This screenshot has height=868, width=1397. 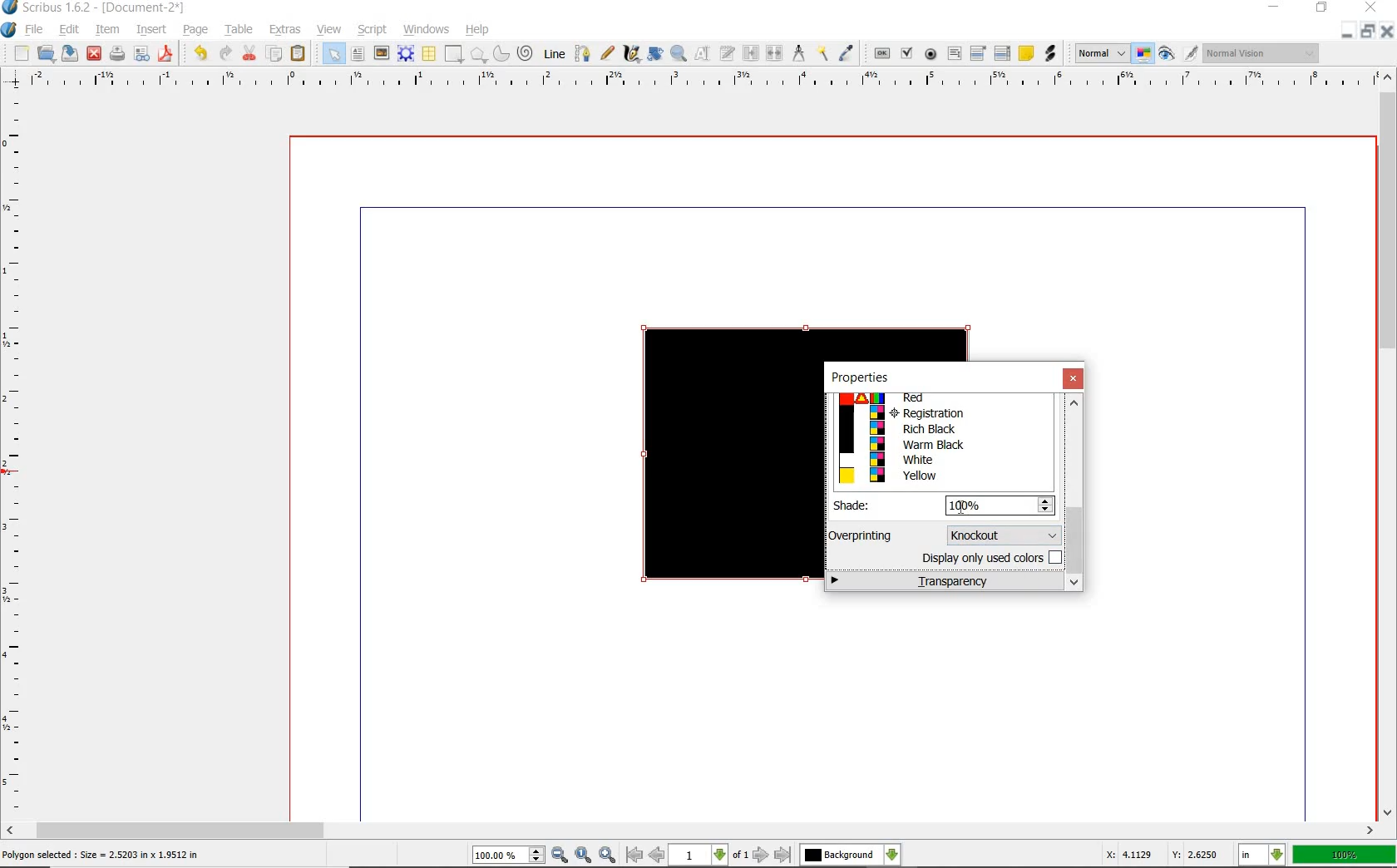 I want to click on copy item properties, so click(x=822, y=56).